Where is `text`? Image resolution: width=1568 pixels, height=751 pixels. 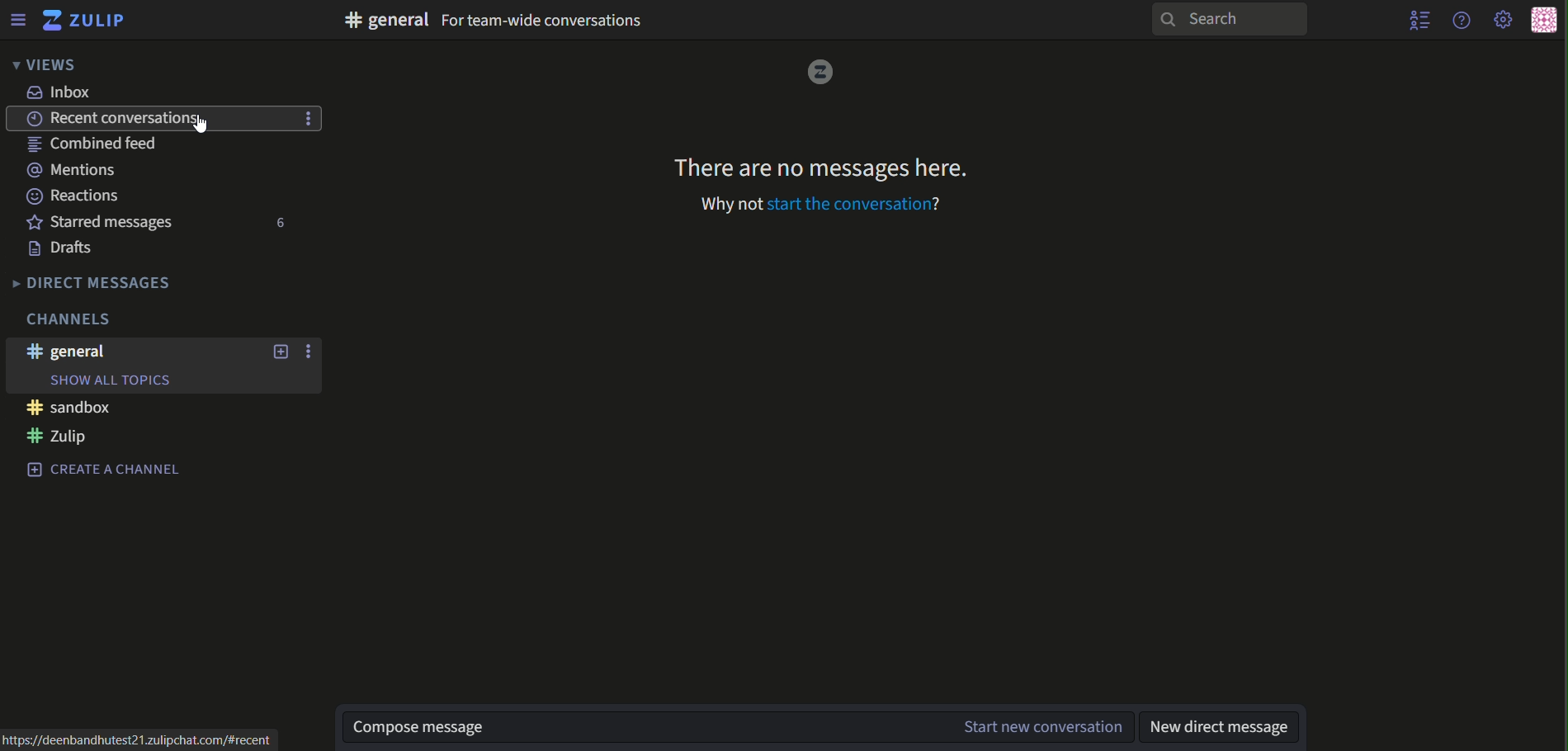
text is located at coordinates (68, 410).